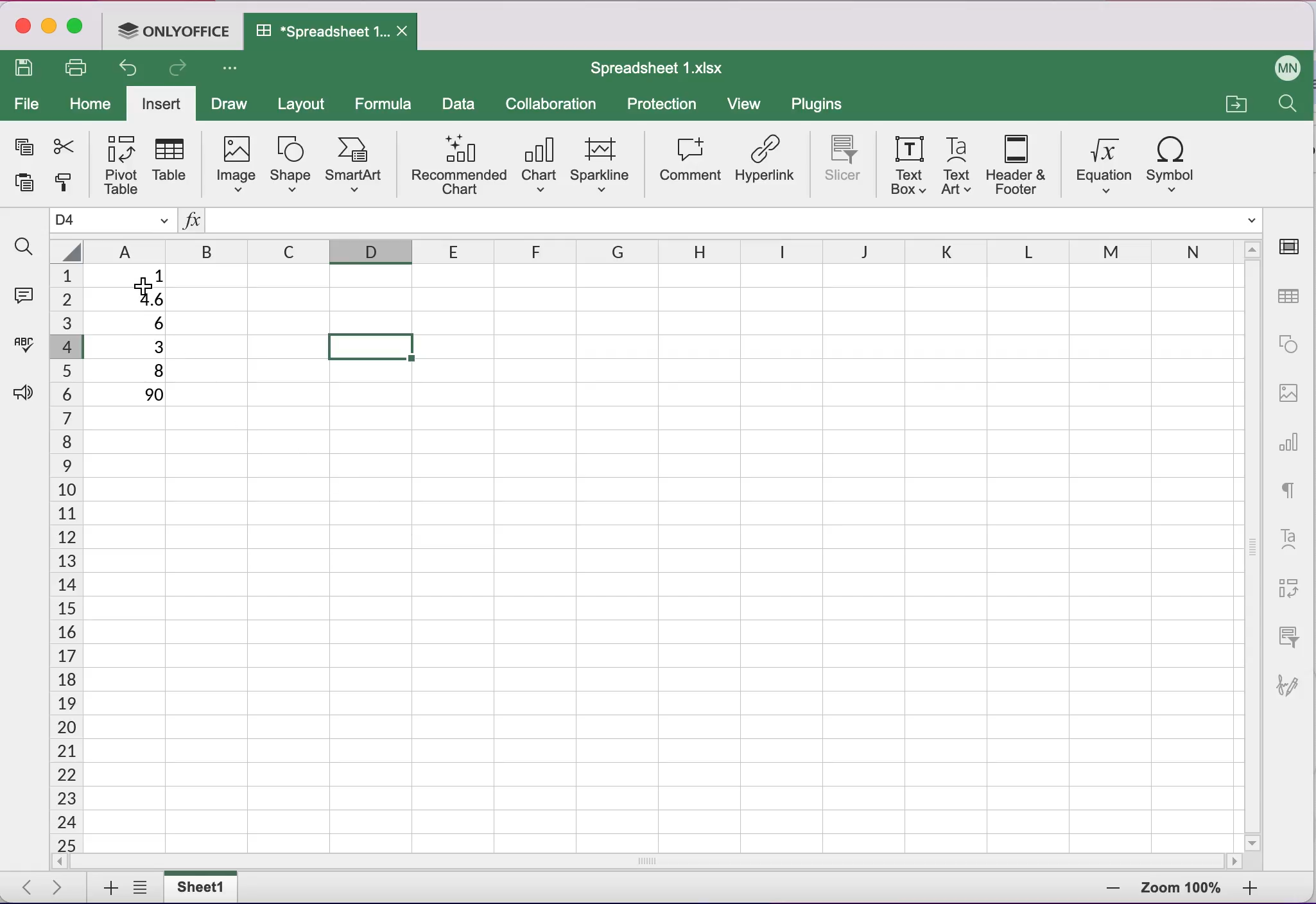  What do you see at coordinates (175, 31) in the screenshot?
I see `ONLYOFFICE` at bounding box center [175, 31].